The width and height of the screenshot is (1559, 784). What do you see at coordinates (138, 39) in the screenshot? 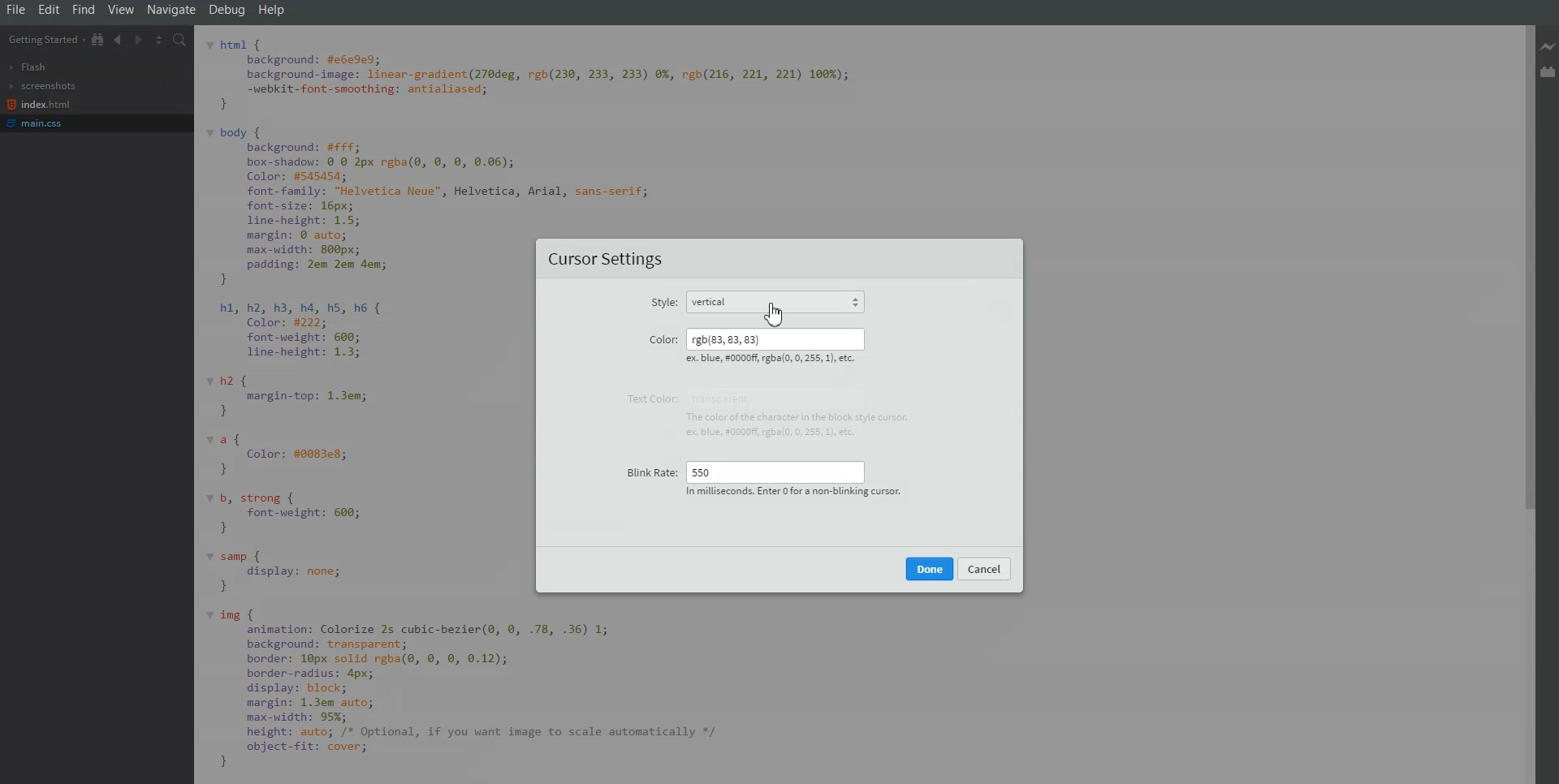
I see `Navigate Forwards` at bounding box center [138, 39].